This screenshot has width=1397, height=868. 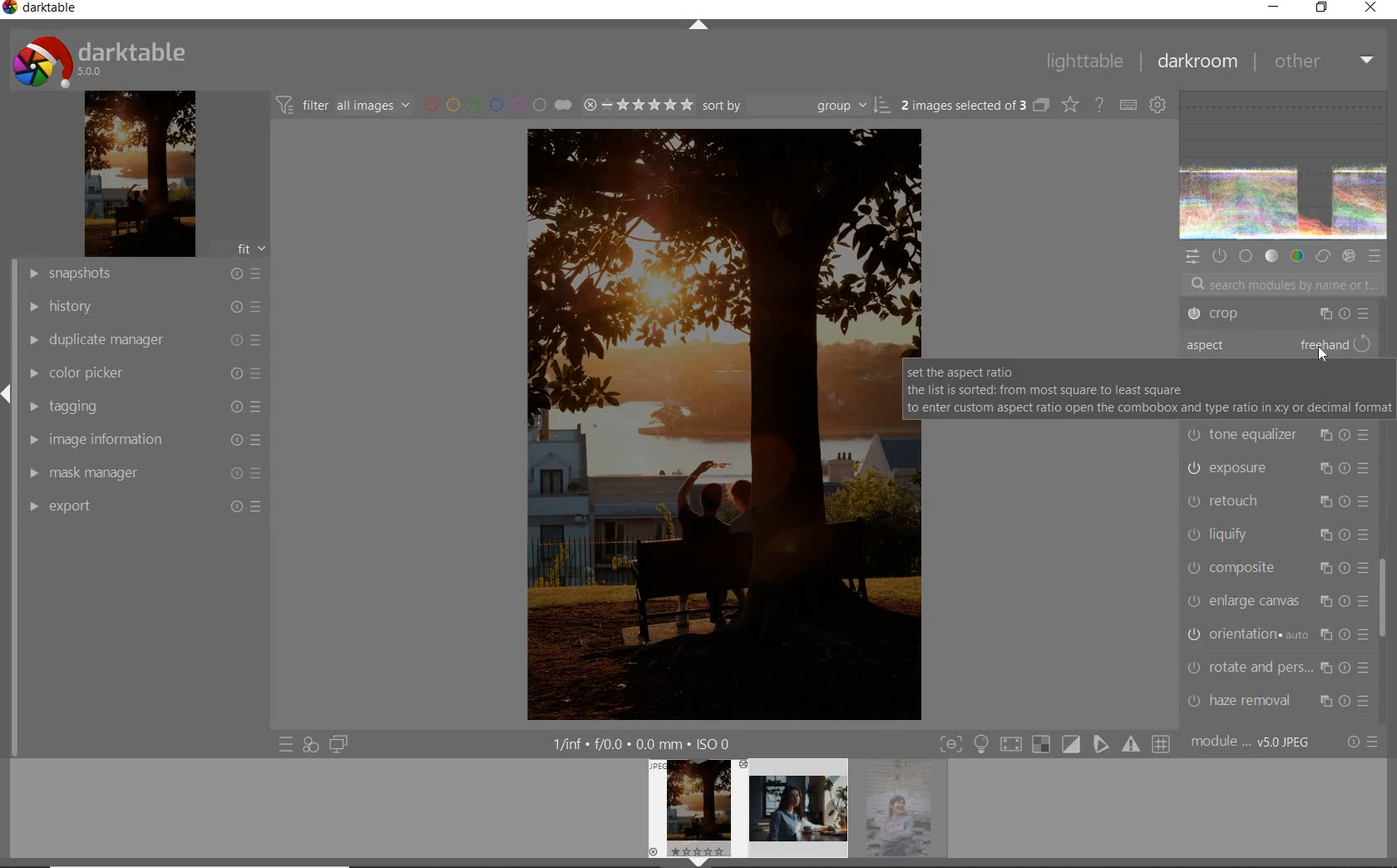 I want to click on change type of overlay, so click(x=1069, y=104).